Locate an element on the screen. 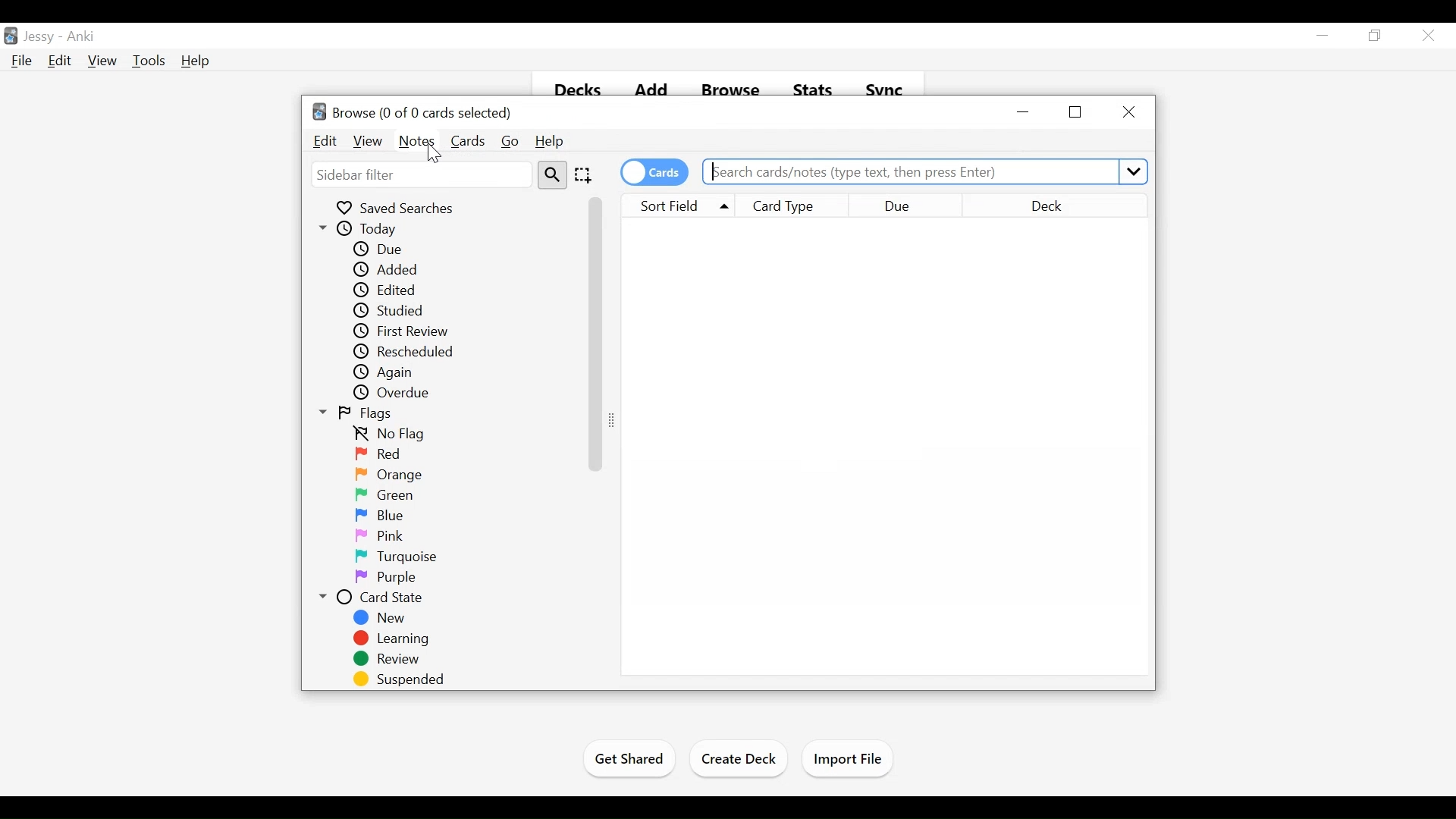 Image resolution: width=1456 pixels, height=819 pixels. No flag is located at coordinates (393, 435).